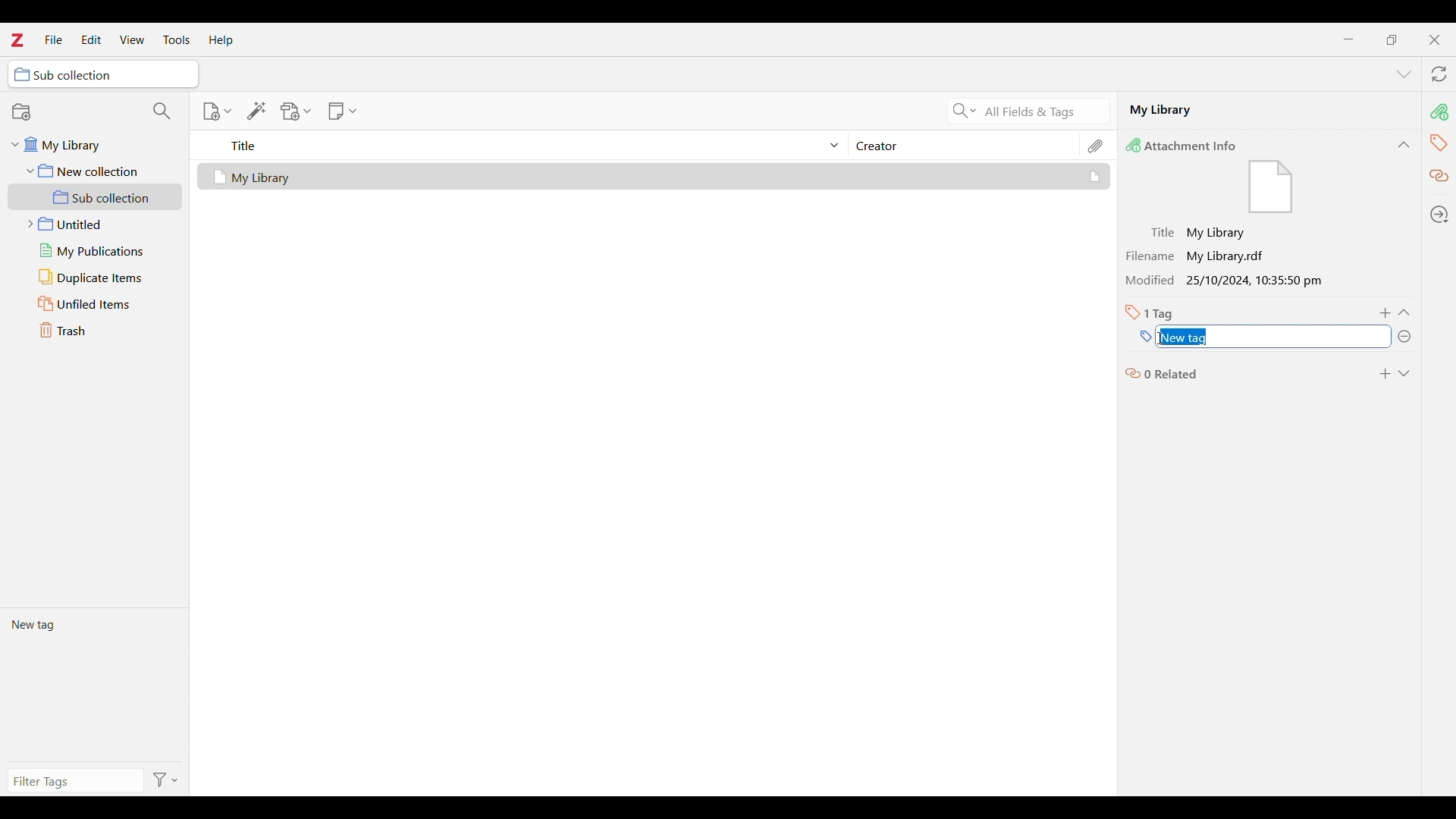 Image resolution: width=1456 pixels, height=819 pixels. What do you see at coordinates (1161, 338) in the screenshot?
I see `Cursor position unchanged, "R" typed` at bounding box center [1161, 338].